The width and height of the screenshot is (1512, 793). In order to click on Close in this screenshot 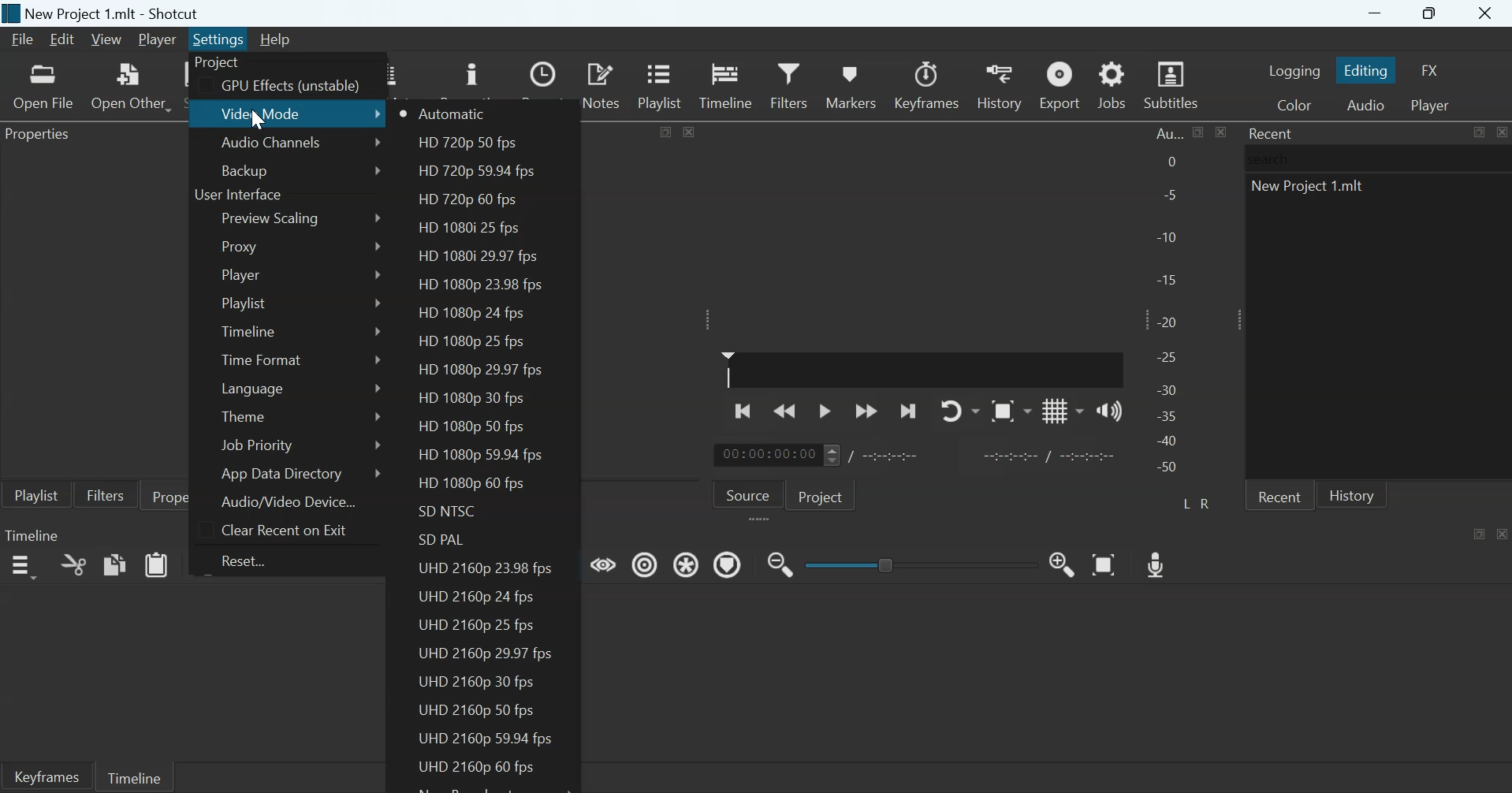, I will do `click(1487, 14)`.